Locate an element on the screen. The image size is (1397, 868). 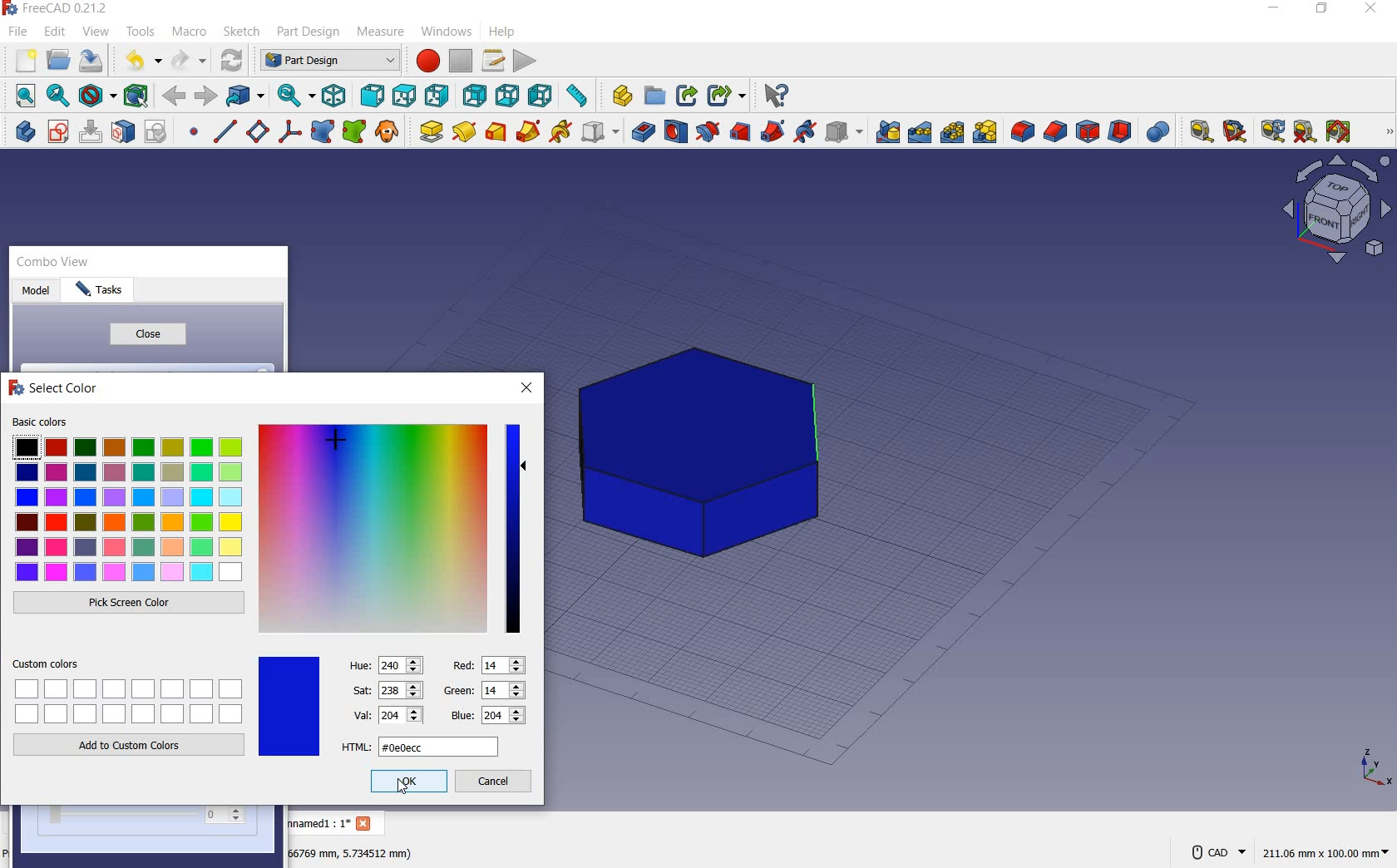
draft is located at coordinates (1088, 133).